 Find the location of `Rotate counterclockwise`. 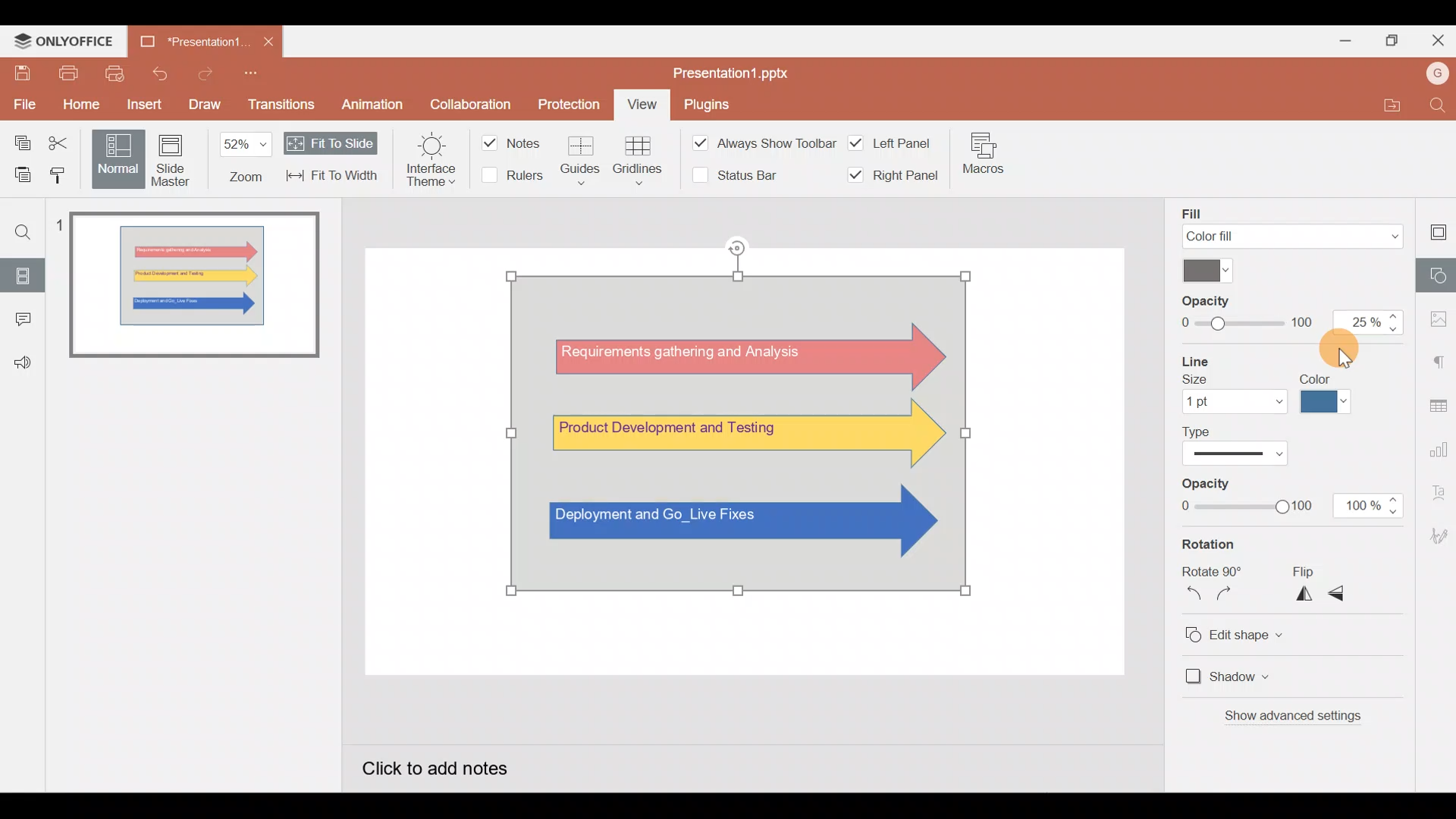

Rotate counterclockwise is located at coordinates (1188, 595).